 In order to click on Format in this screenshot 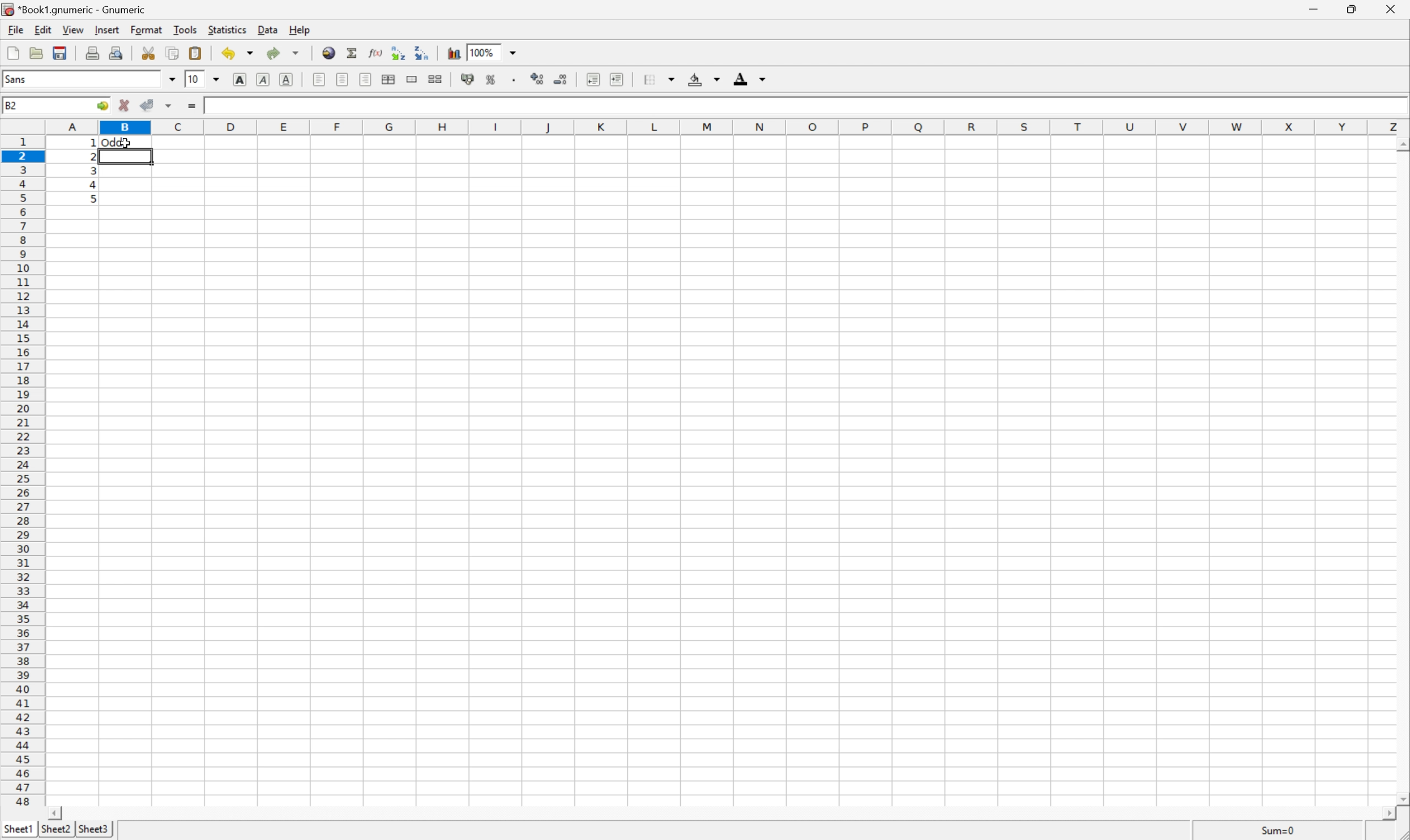, I will do `click(148, 30)`.